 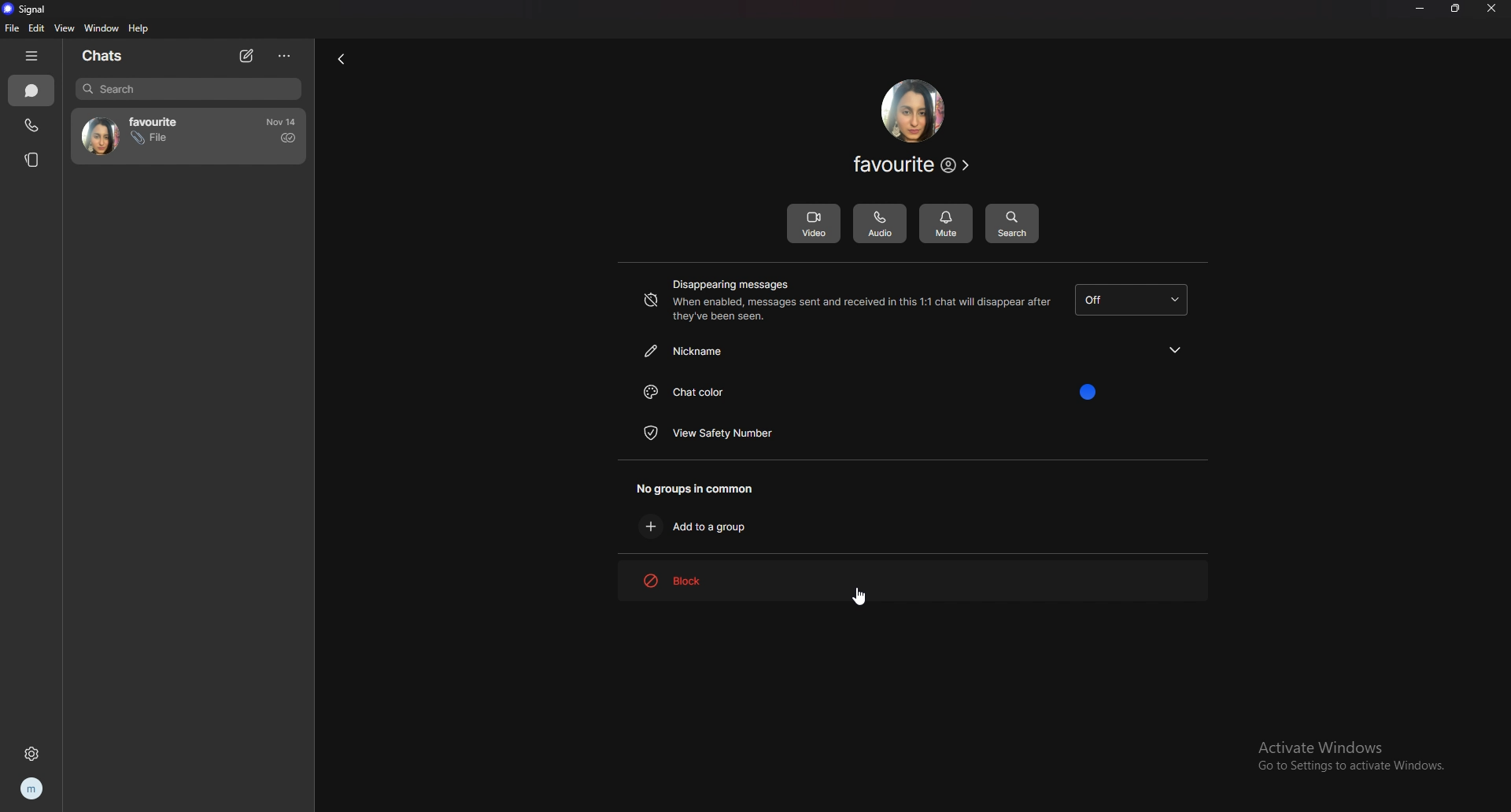 I want to click on edit, so click(x=36, y=28).